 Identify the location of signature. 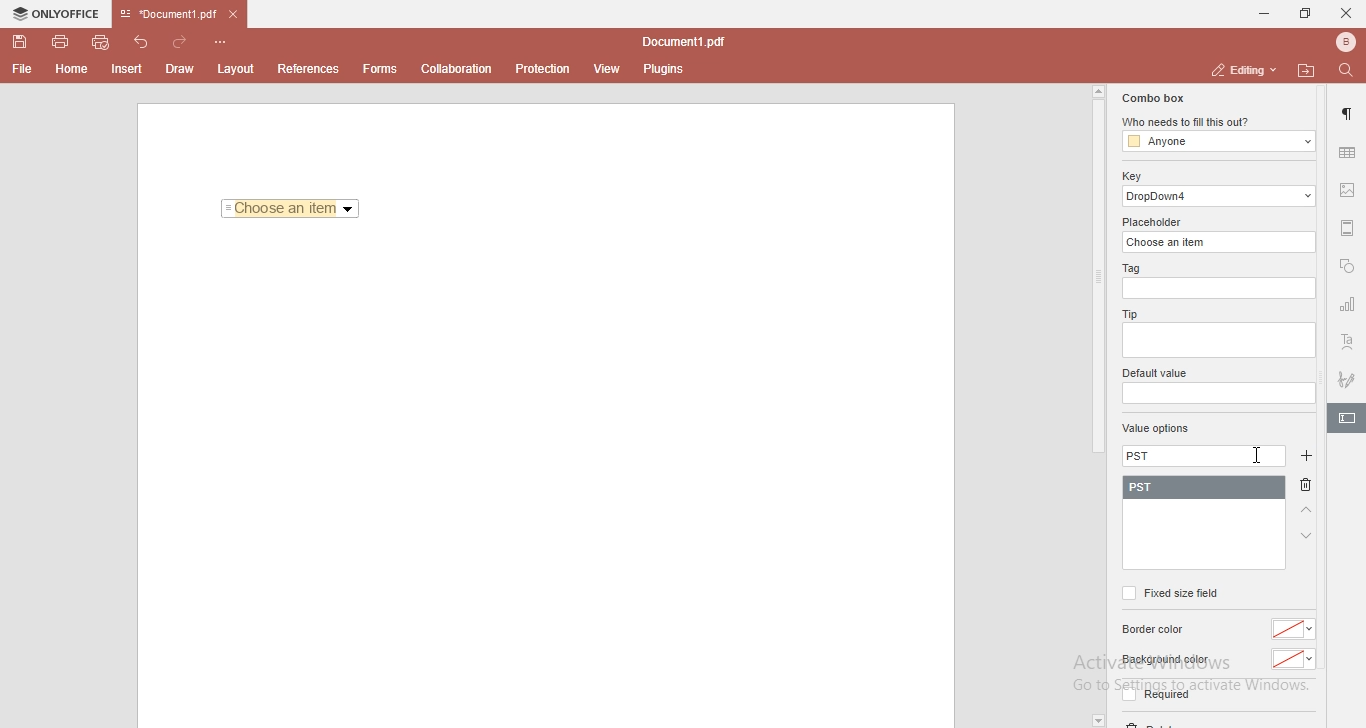
(1348, 376).